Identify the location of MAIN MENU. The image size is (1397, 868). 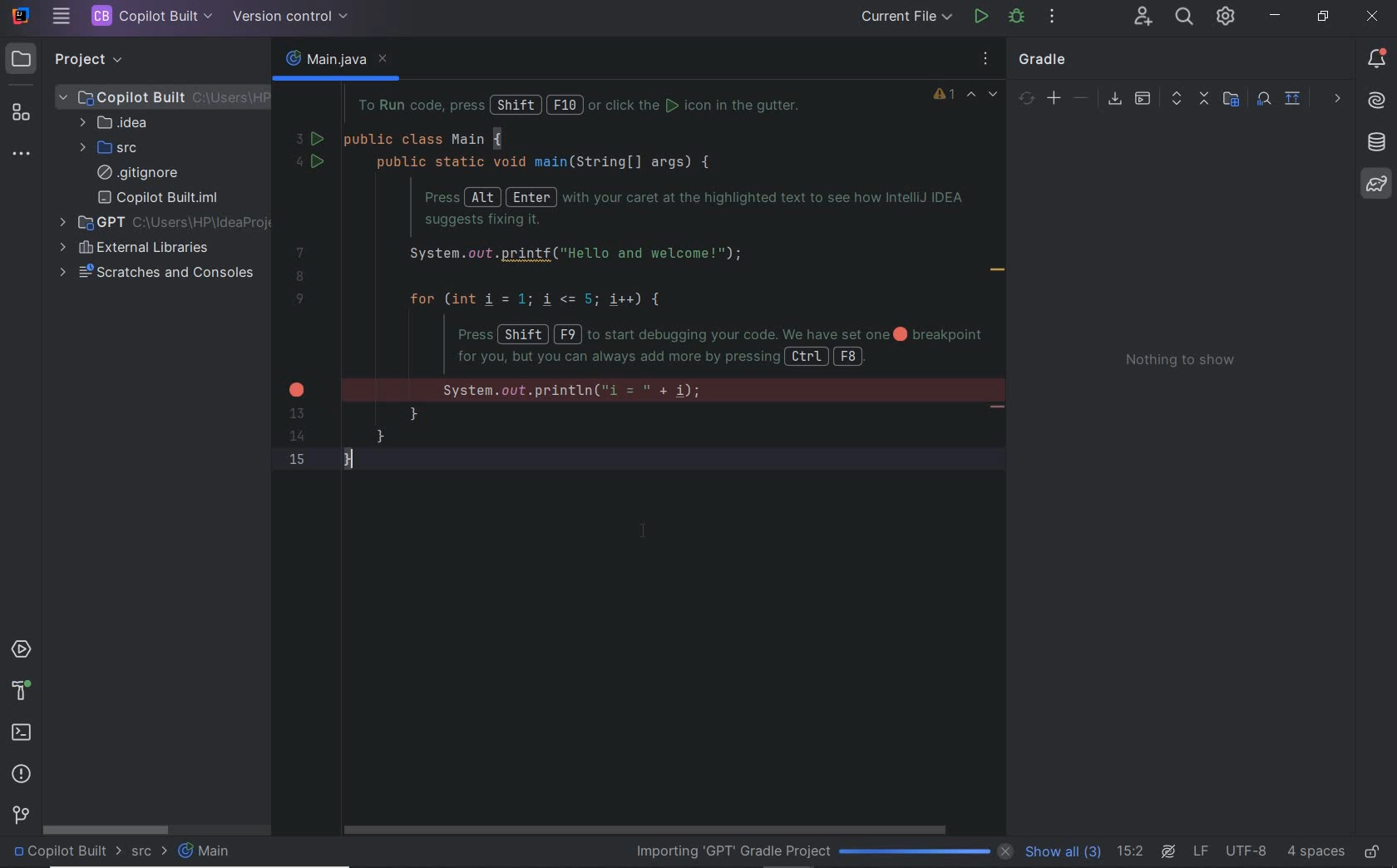
(61, 17).